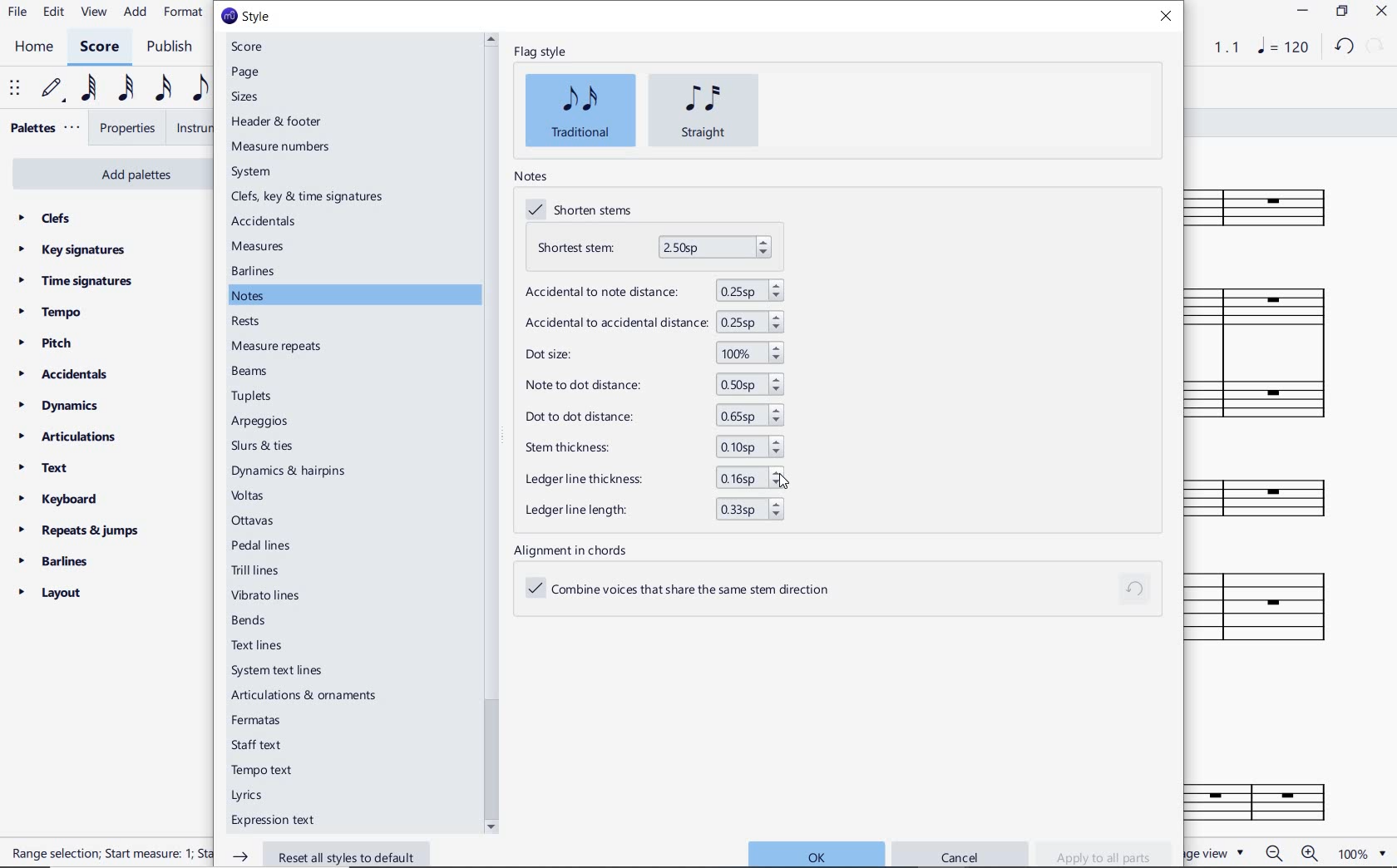  I want to click on UNDO, so click(1345, 46).